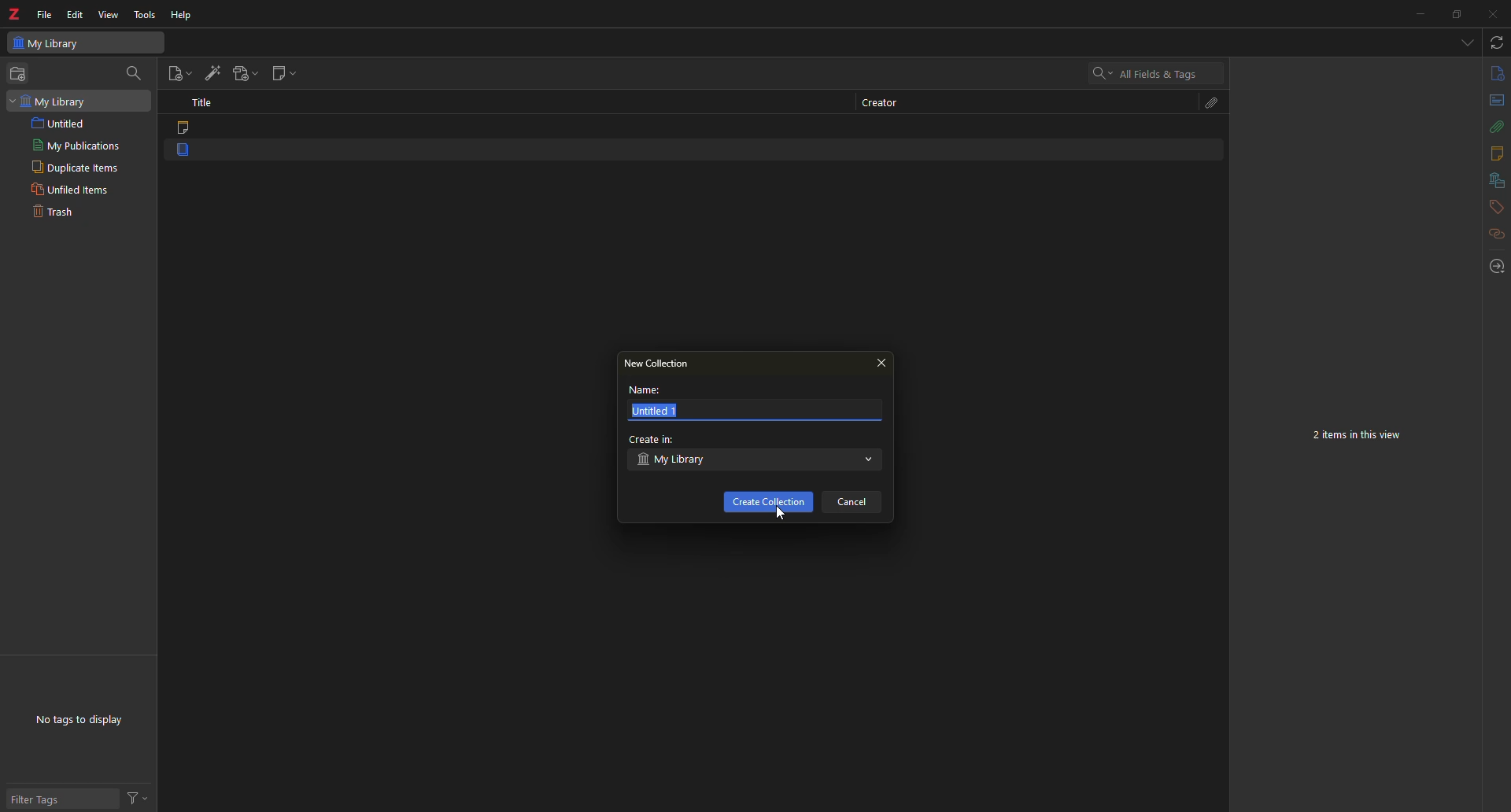 The width and height of the screenshot is (1511, 812). What do you see at coordinates (142, 795) in the screenshot?
I see `actions` at bounding box center [142, 795].